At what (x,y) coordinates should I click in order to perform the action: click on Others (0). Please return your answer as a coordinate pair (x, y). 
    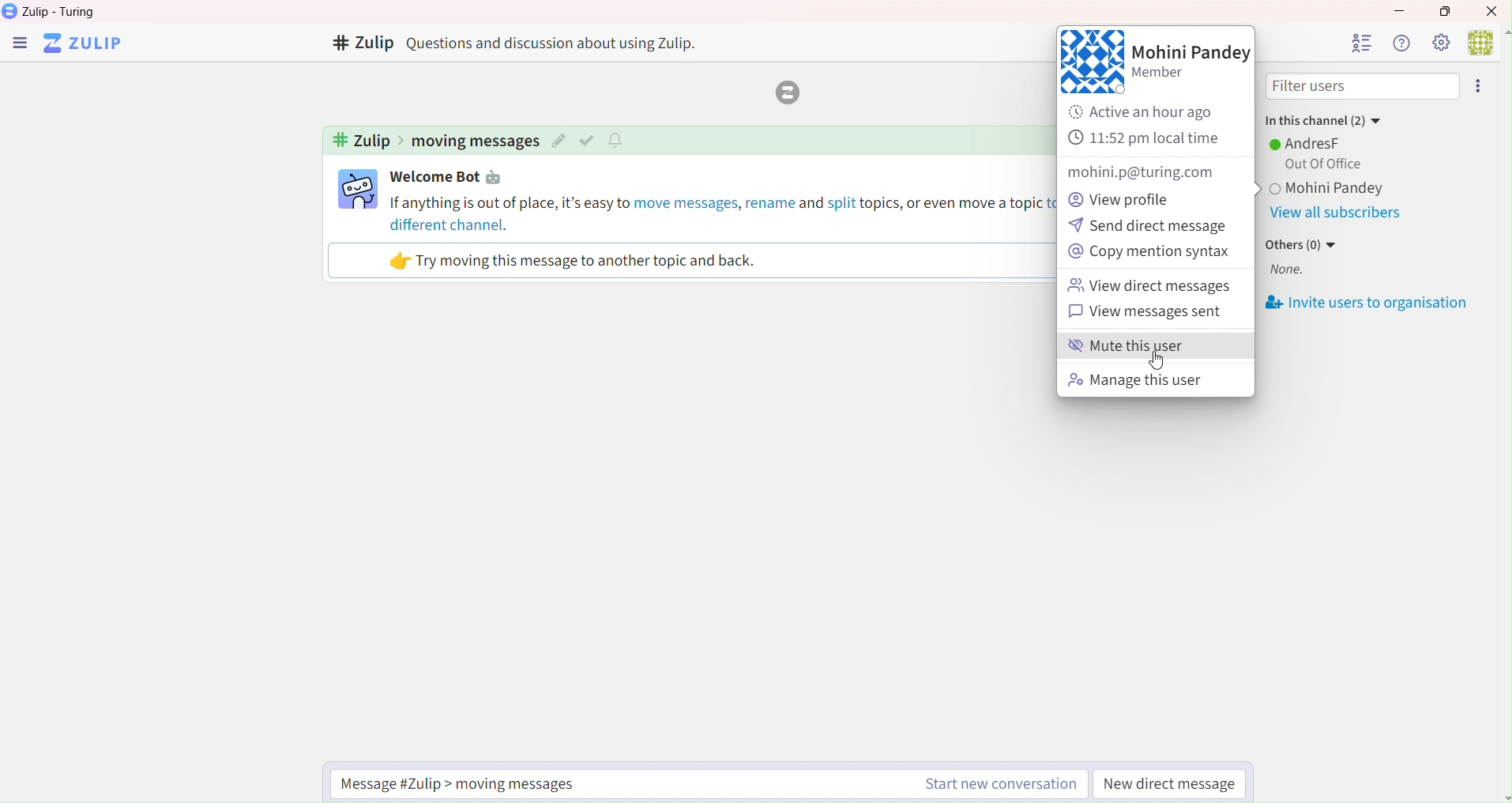
    Looking at the image, I should click on (1303, 244).